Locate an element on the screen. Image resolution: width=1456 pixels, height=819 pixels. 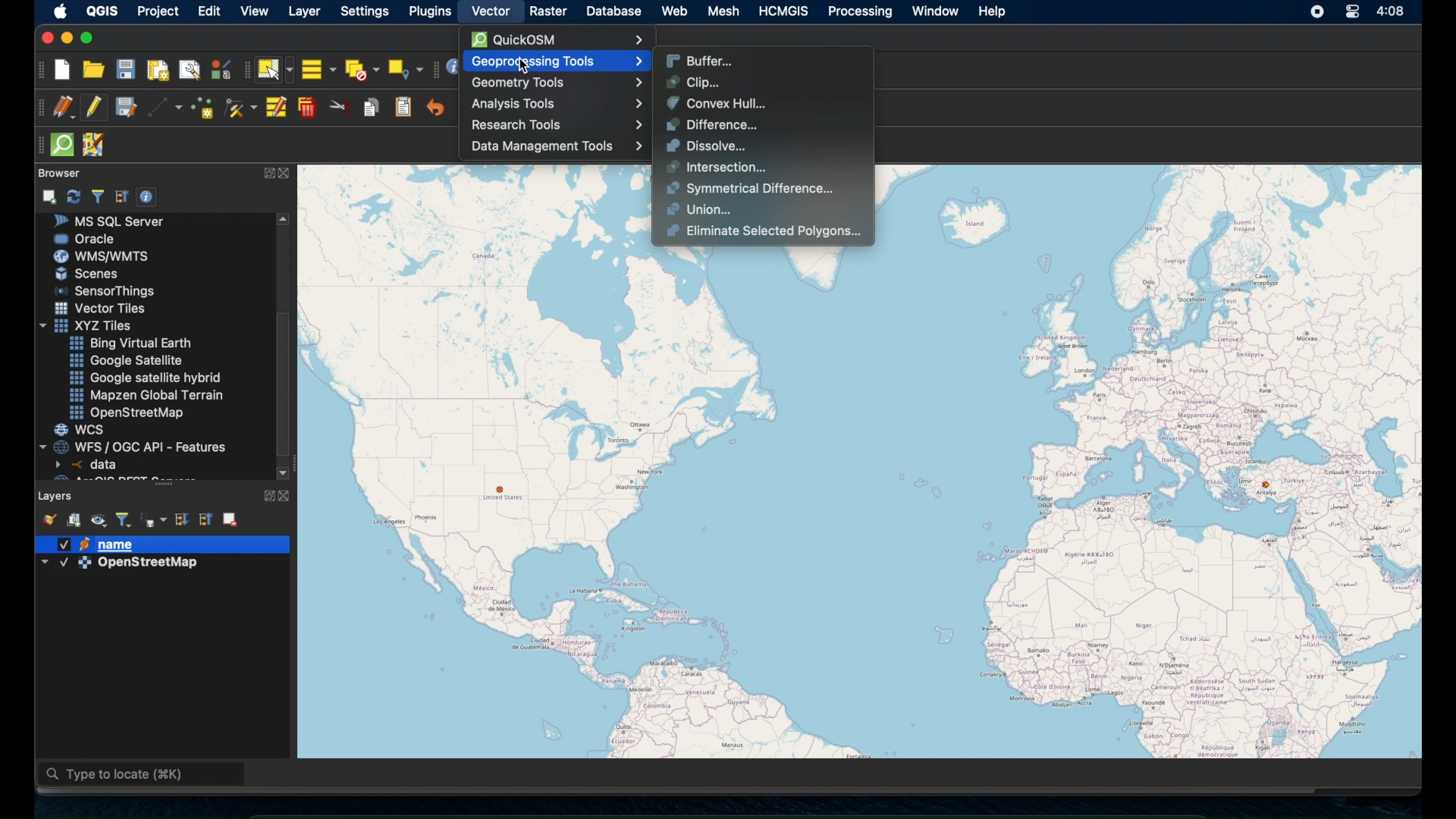
view is located at coordinates (254, 12).